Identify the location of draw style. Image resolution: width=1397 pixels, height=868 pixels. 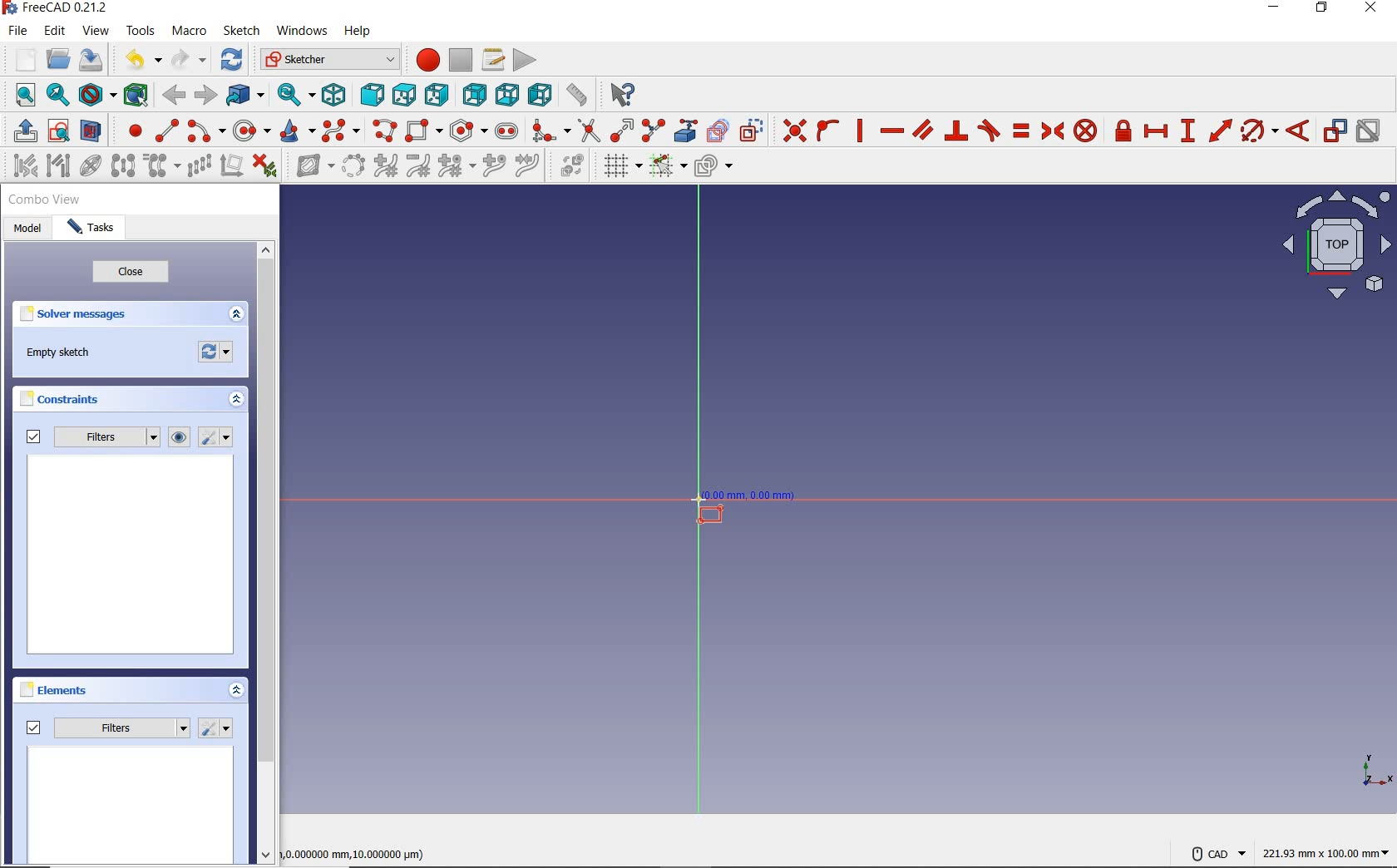
(96, 96).